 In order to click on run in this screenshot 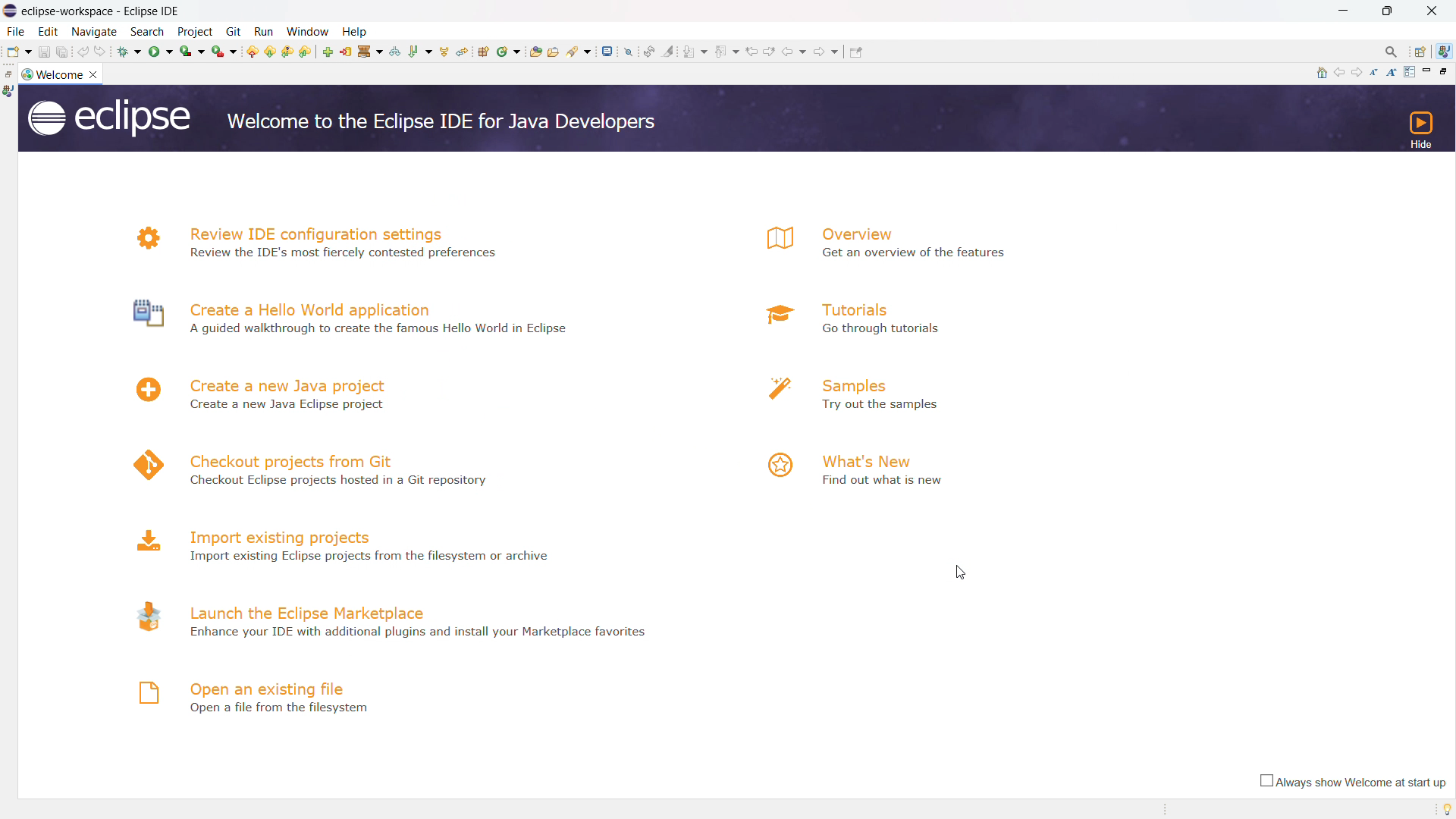, I will do `click(159, 52)`.